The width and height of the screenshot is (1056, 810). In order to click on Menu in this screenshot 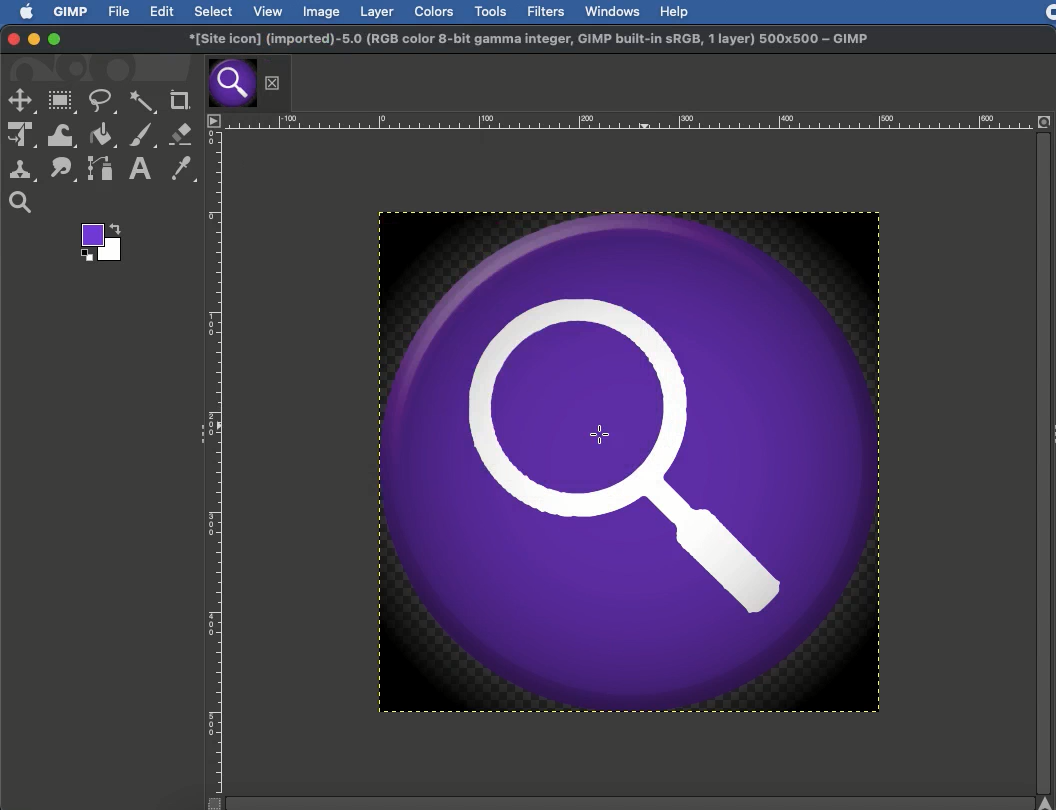, I will do `click(215, 121)`.